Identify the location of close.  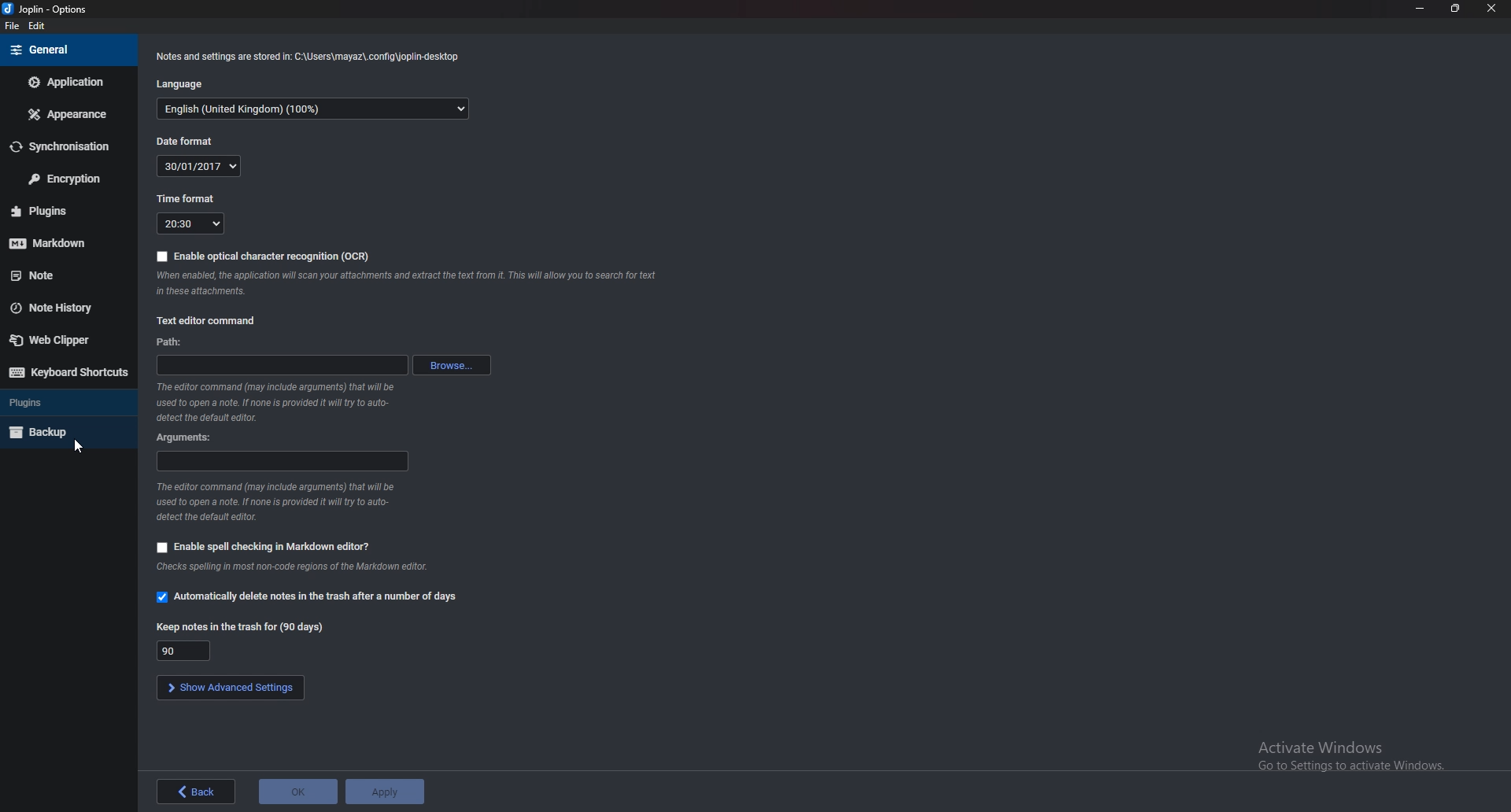
(1491, 9).